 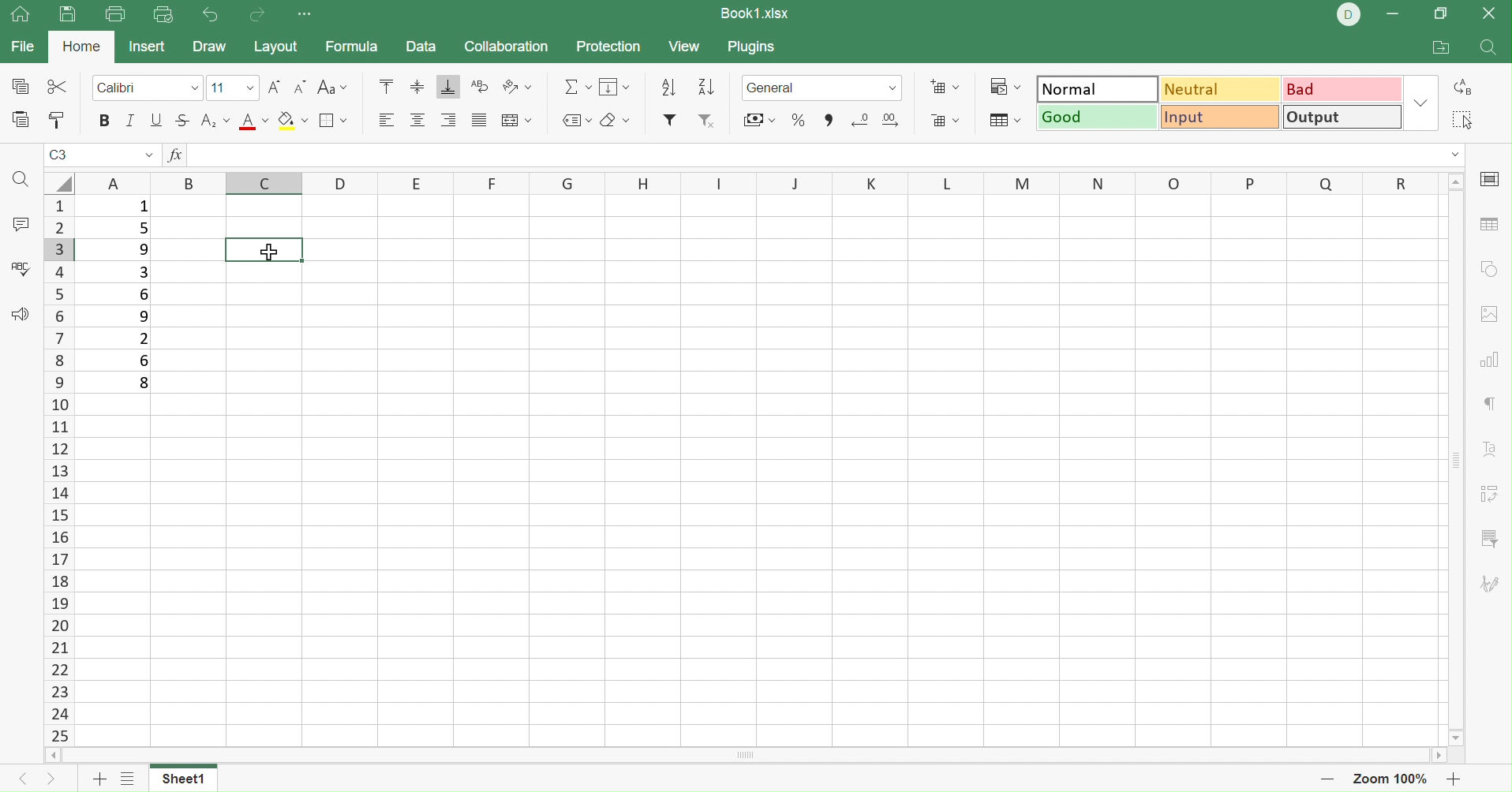 What do you see at coordinates (149, 155) in the screenshot?
I see `Drop down` at bounding box center [149, 155].